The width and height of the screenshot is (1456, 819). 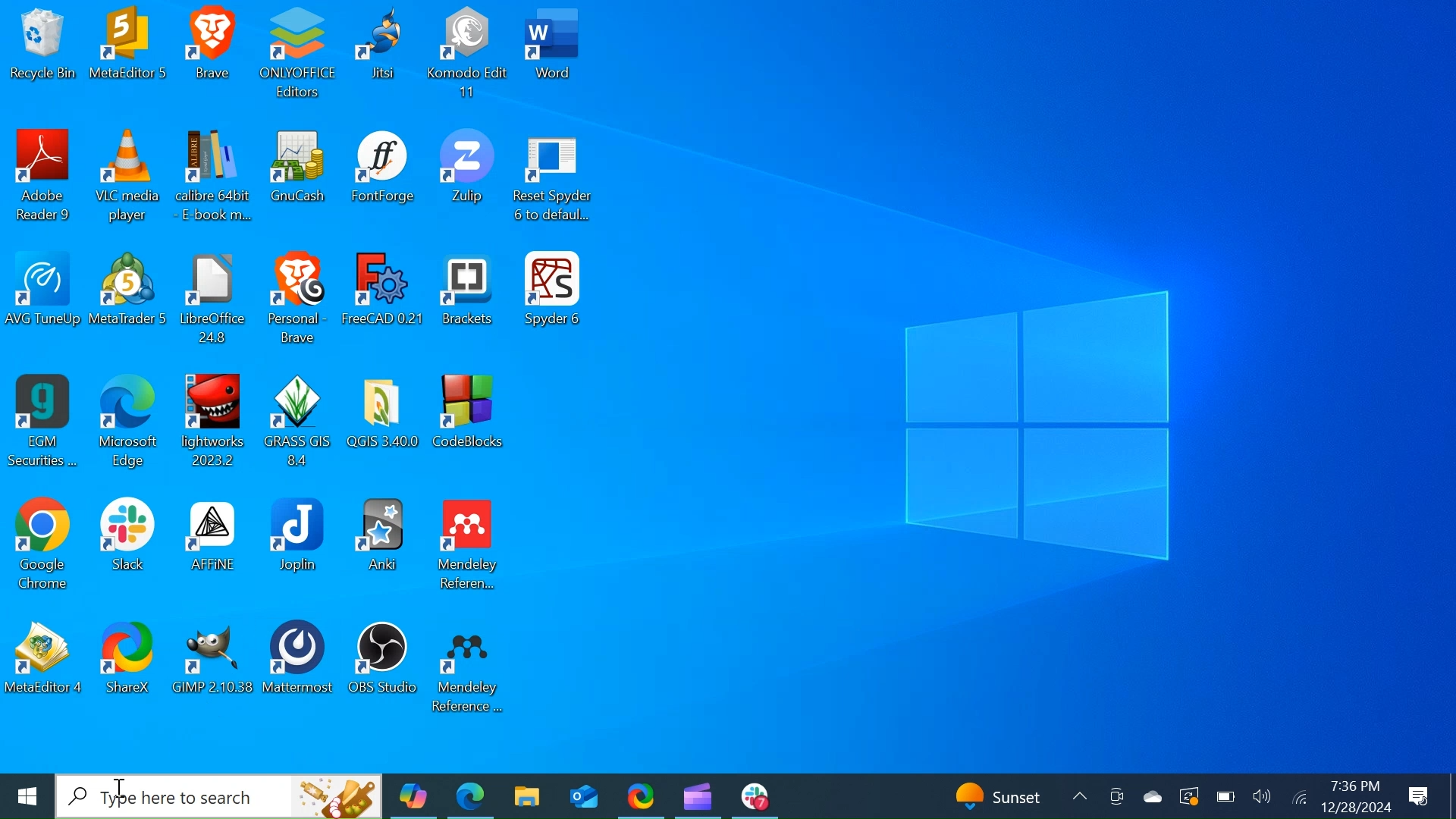 What do you see at coordinates (470, 795) in the screenshot?
I see `Microsoft Edge` at bounding box center [470, 795].